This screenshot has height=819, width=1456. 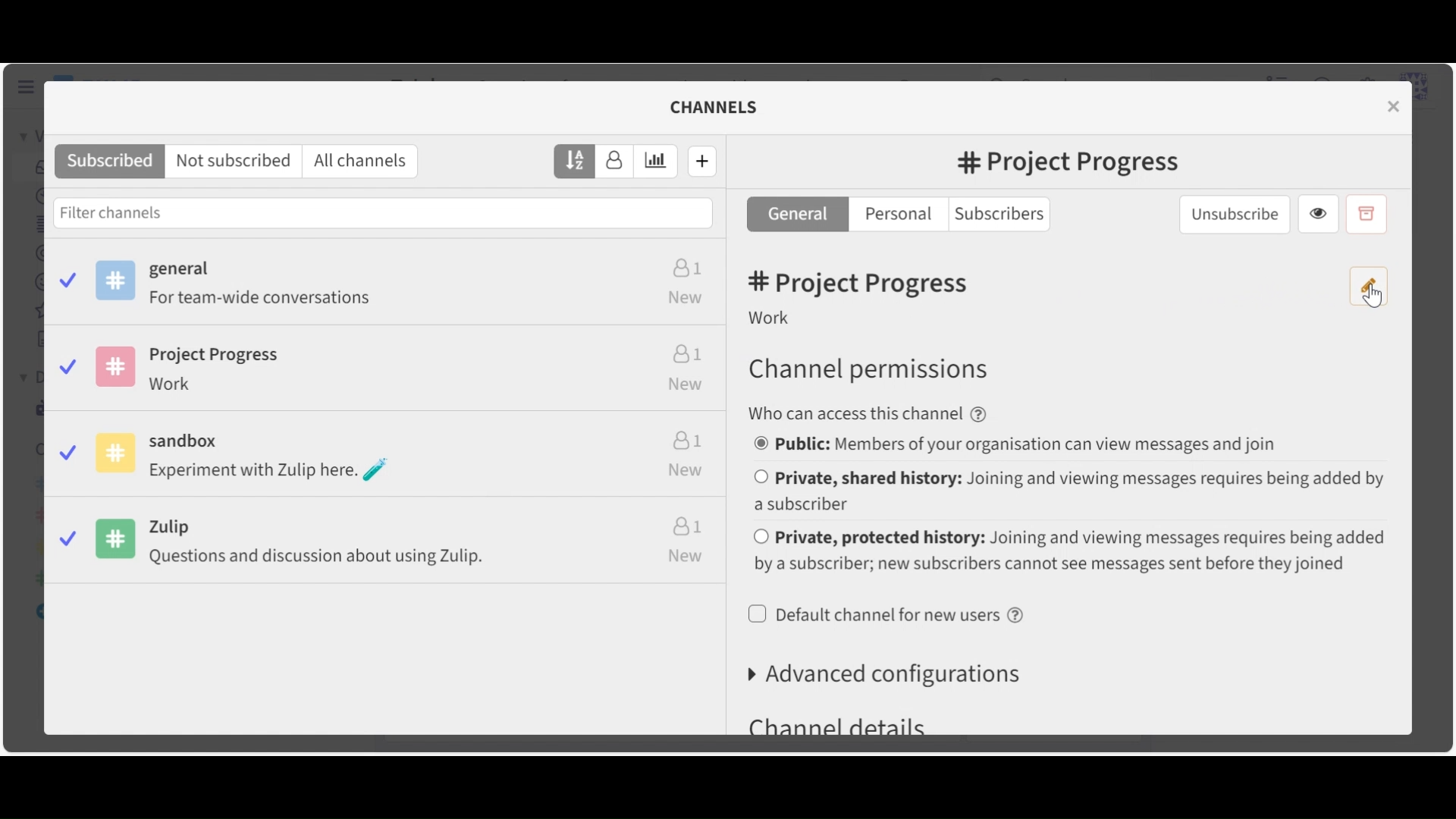 I want to click on Description, so click(x=779, y=319).